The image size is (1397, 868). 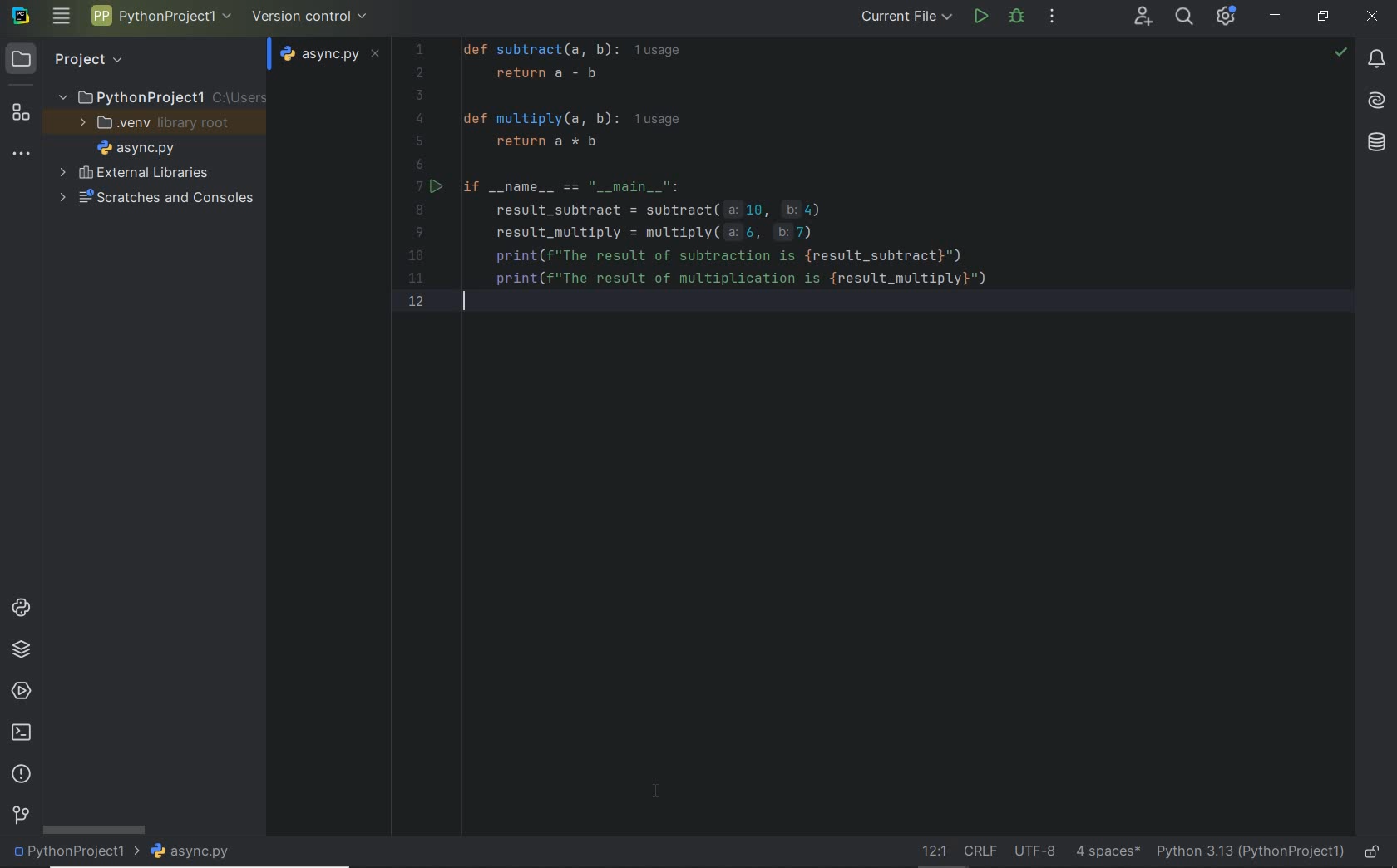 I want to click on external libraries, so click(x=134, y=173).